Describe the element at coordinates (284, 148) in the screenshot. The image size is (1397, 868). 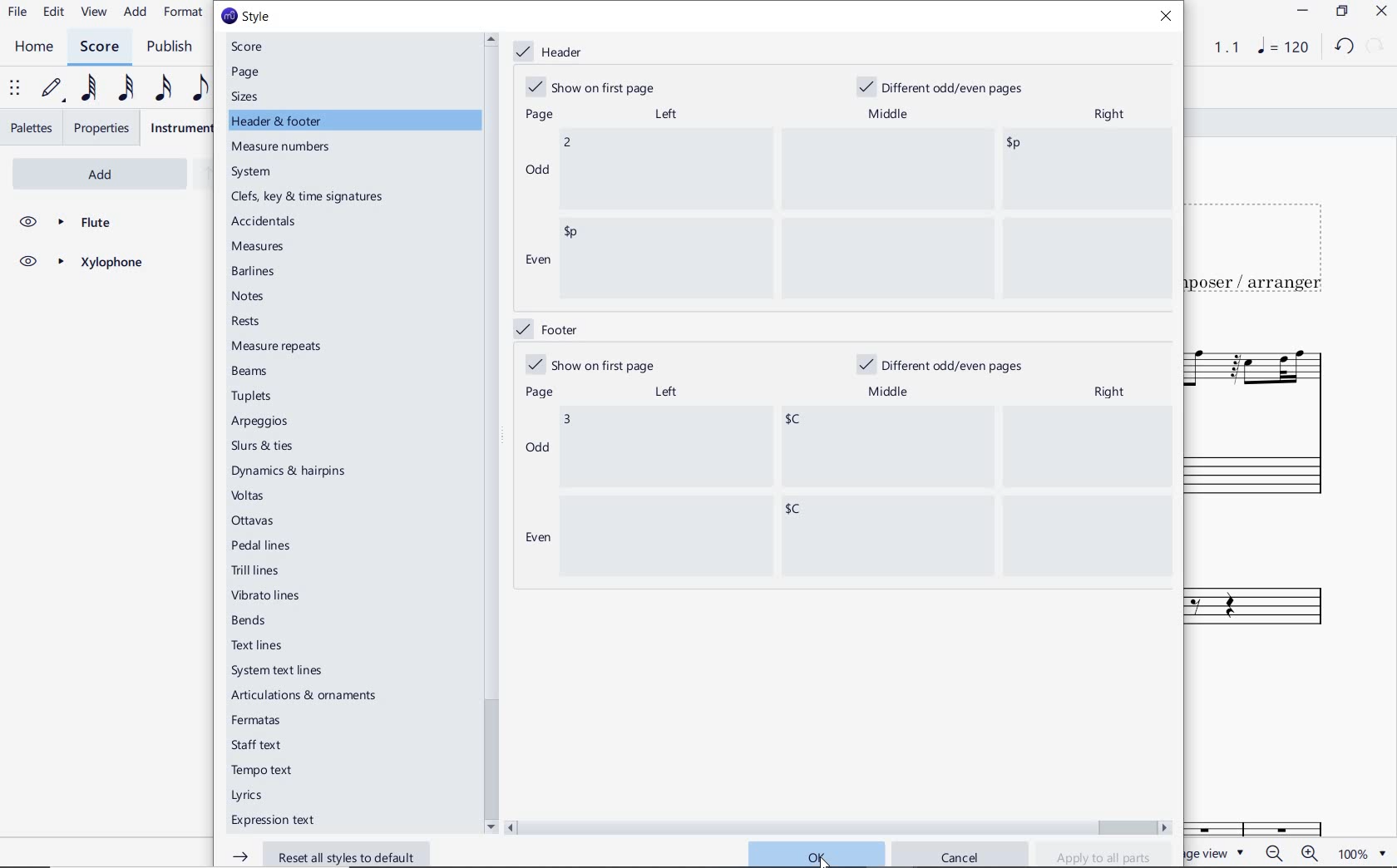
I see `measure numbers` at that location.